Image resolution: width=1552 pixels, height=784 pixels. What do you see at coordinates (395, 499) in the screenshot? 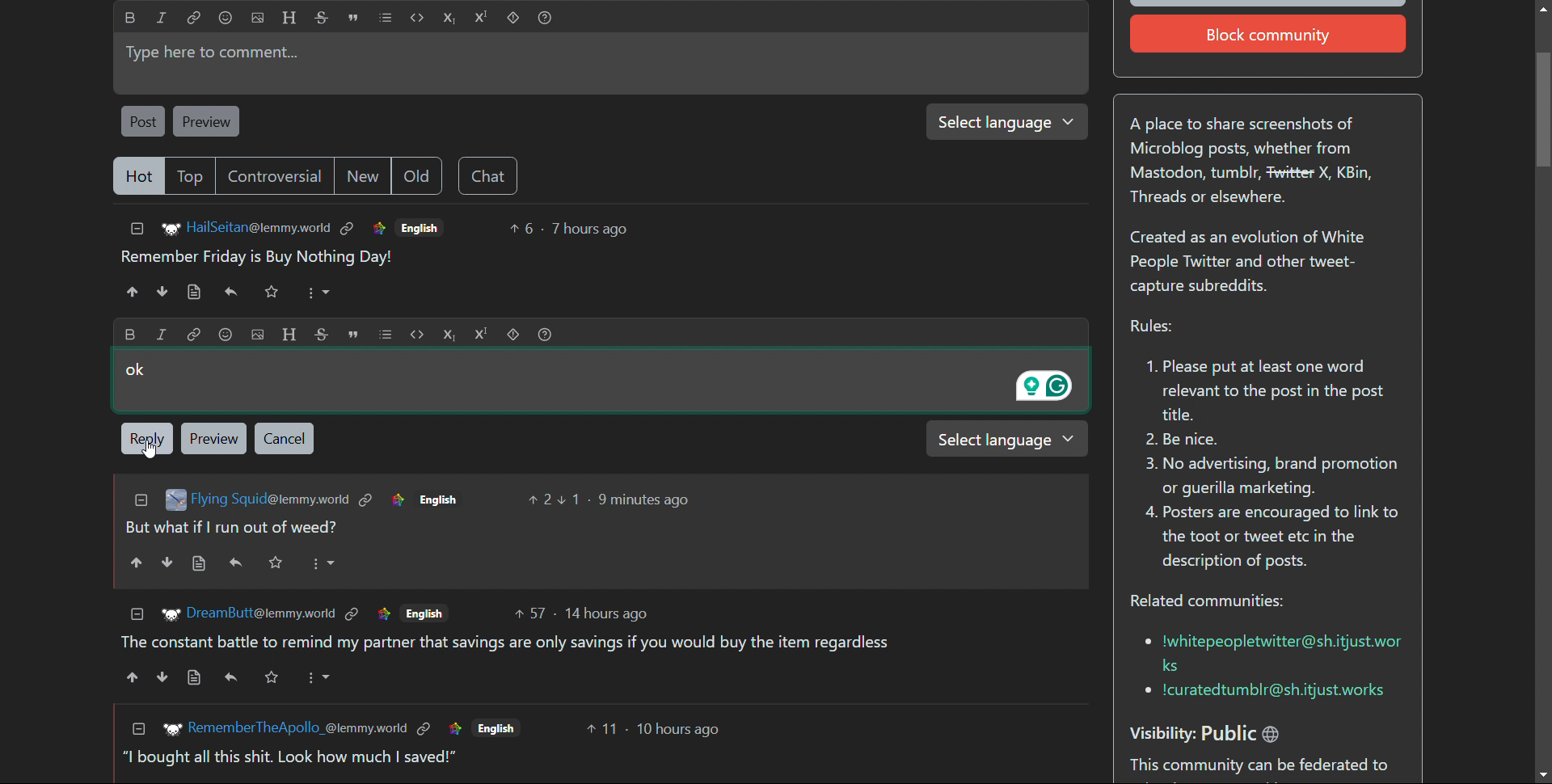
I see `link` at bounding box center [395, 499].